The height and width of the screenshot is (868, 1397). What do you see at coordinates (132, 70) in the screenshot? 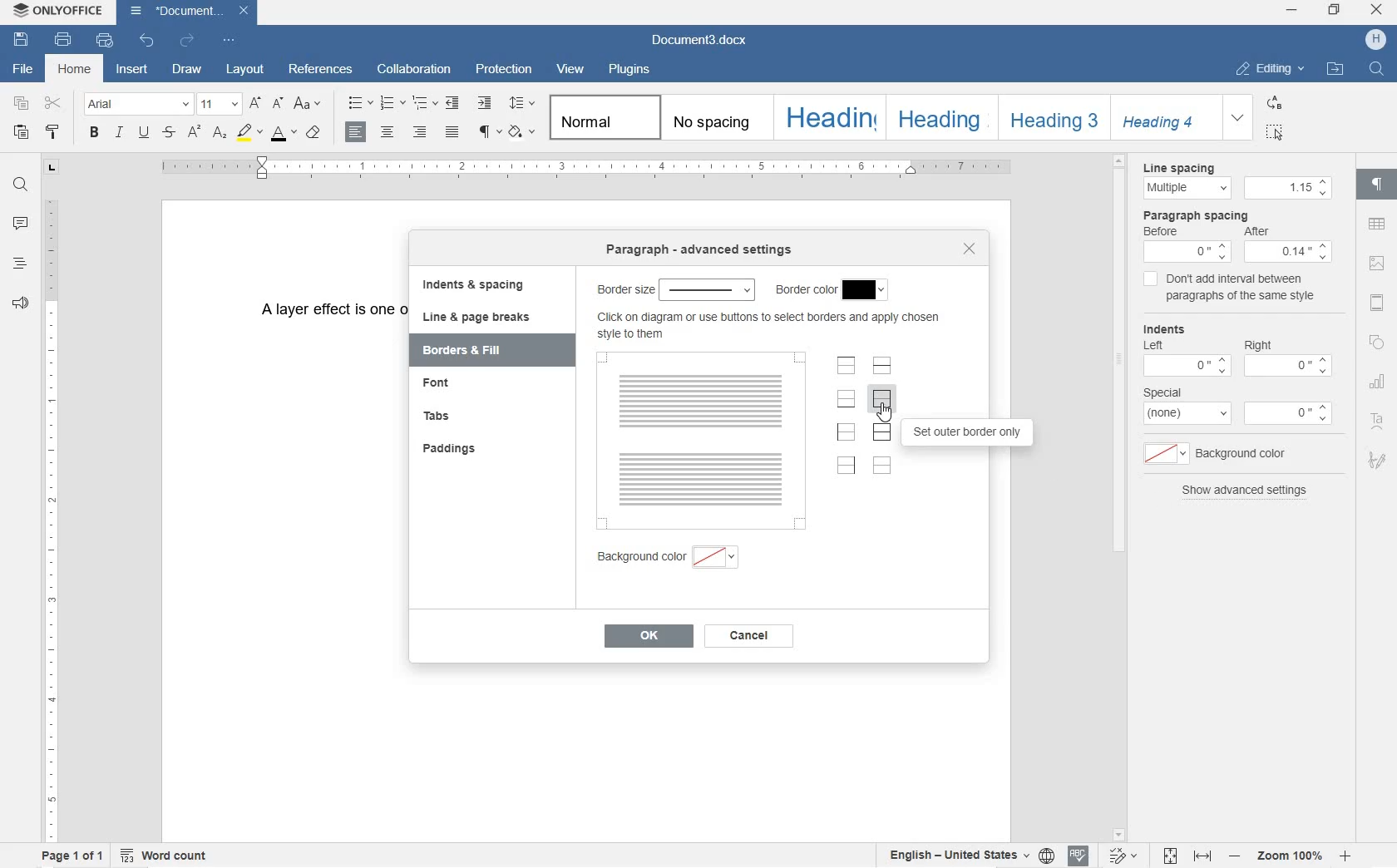
I see `INSERT` at bounding box center [132, 70].